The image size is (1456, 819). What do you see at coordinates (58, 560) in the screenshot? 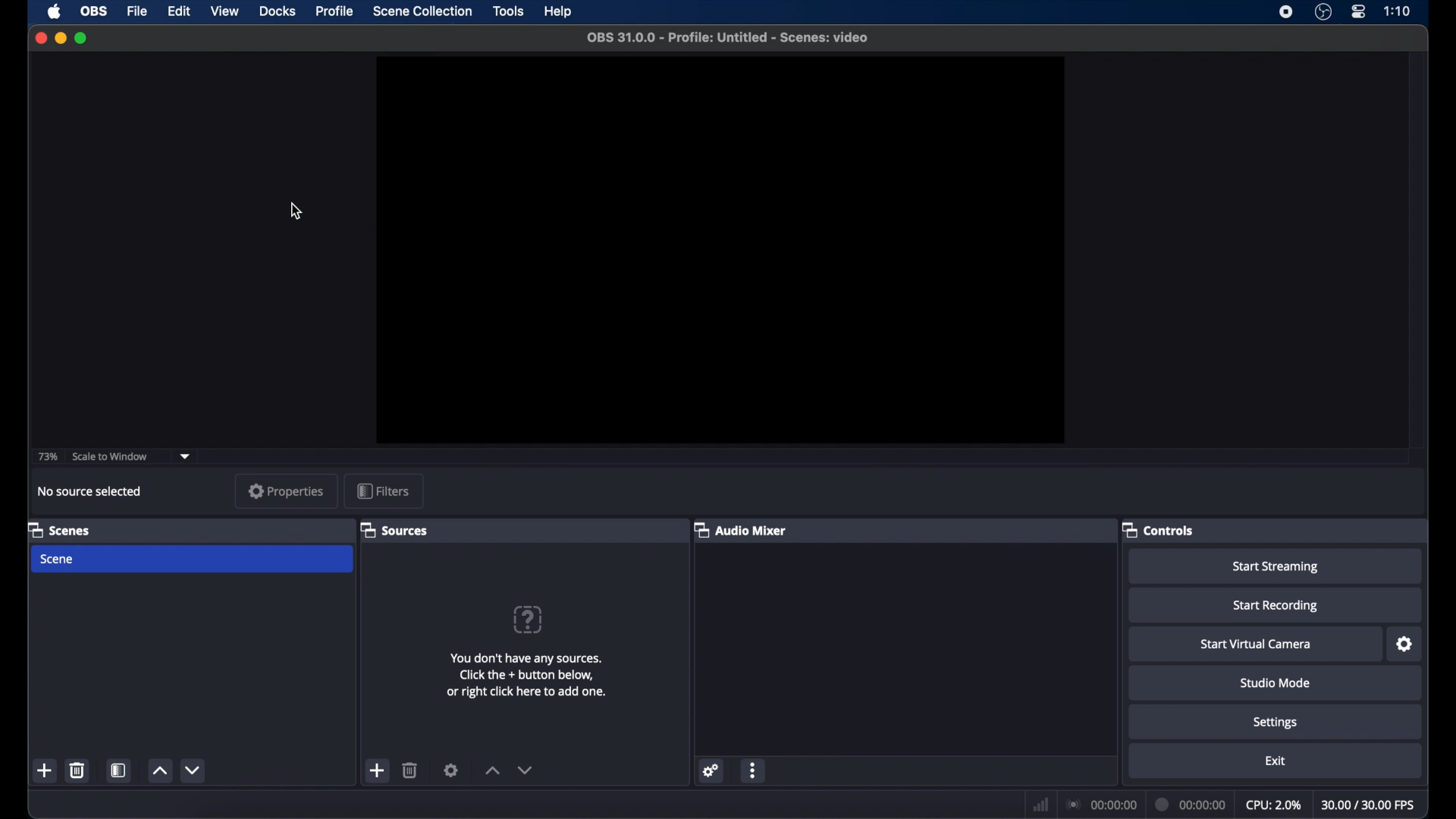
I see `scene` at bounding box center [58, 560].